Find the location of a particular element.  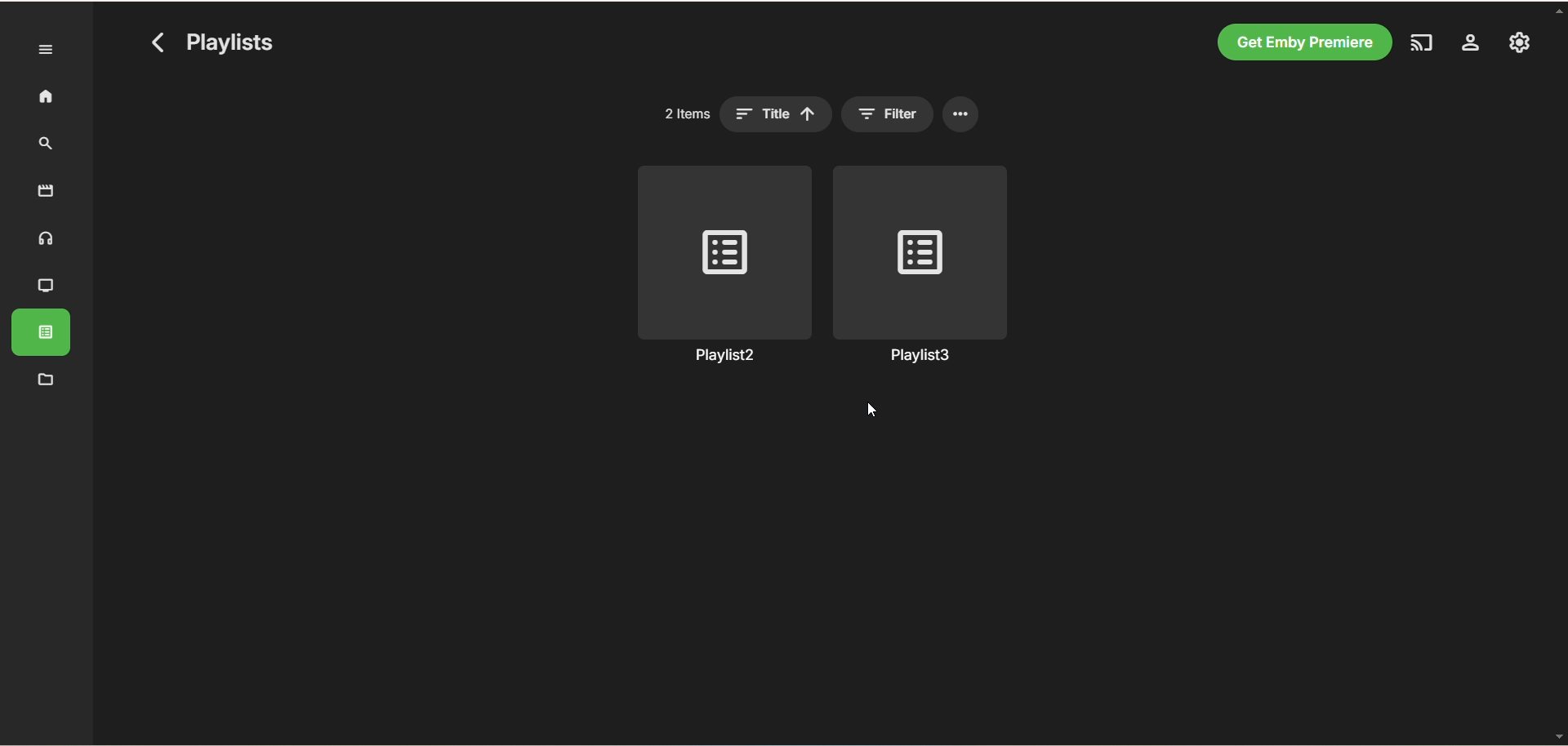

playlist is located at coordinates (41, 332).